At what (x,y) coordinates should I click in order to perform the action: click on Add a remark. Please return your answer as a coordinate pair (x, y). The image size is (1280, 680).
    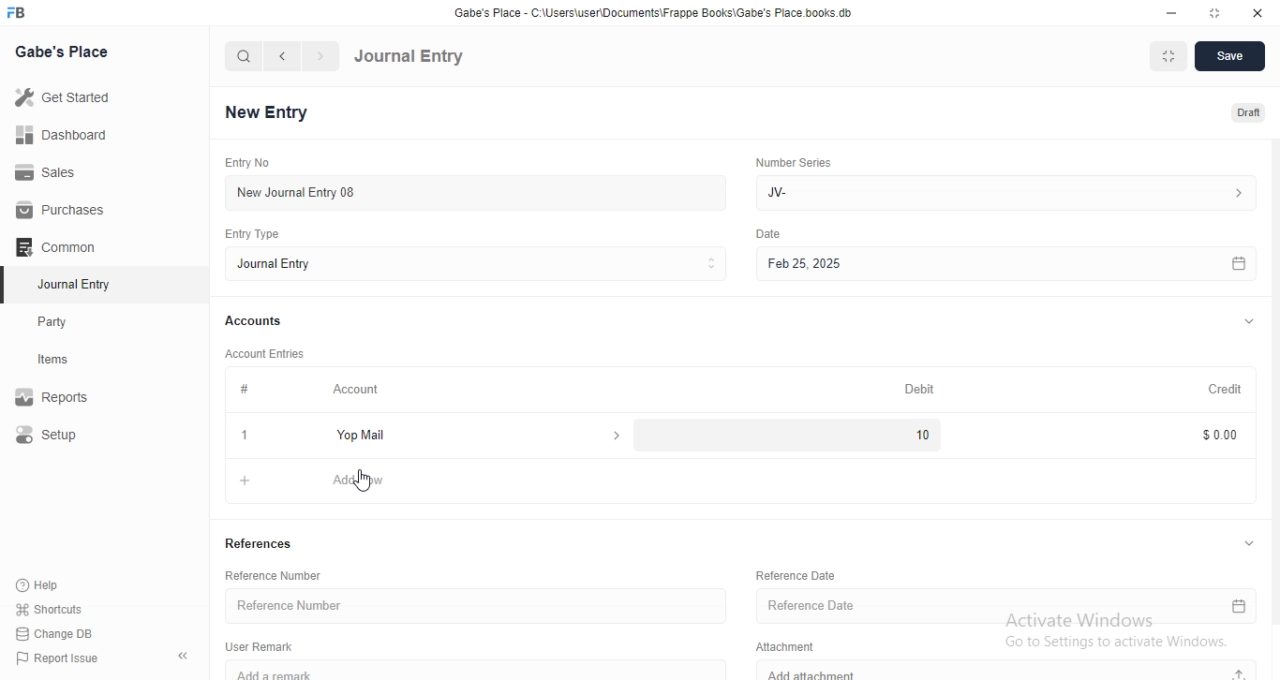
    Looking at the image, I should click on (486, 670).